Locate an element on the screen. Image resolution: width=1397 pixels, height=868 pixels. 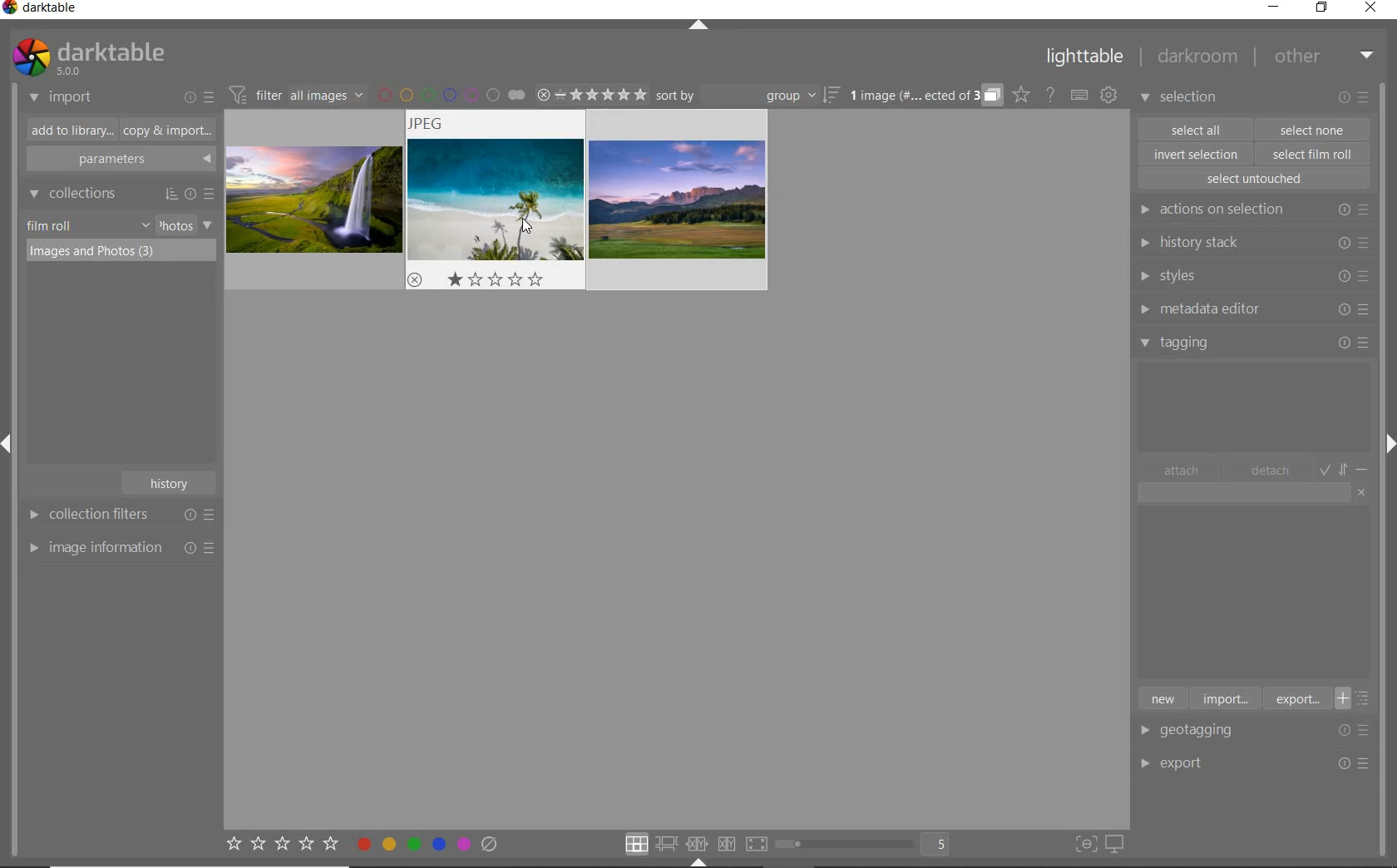
add to library is located at coordinates (67, 131).